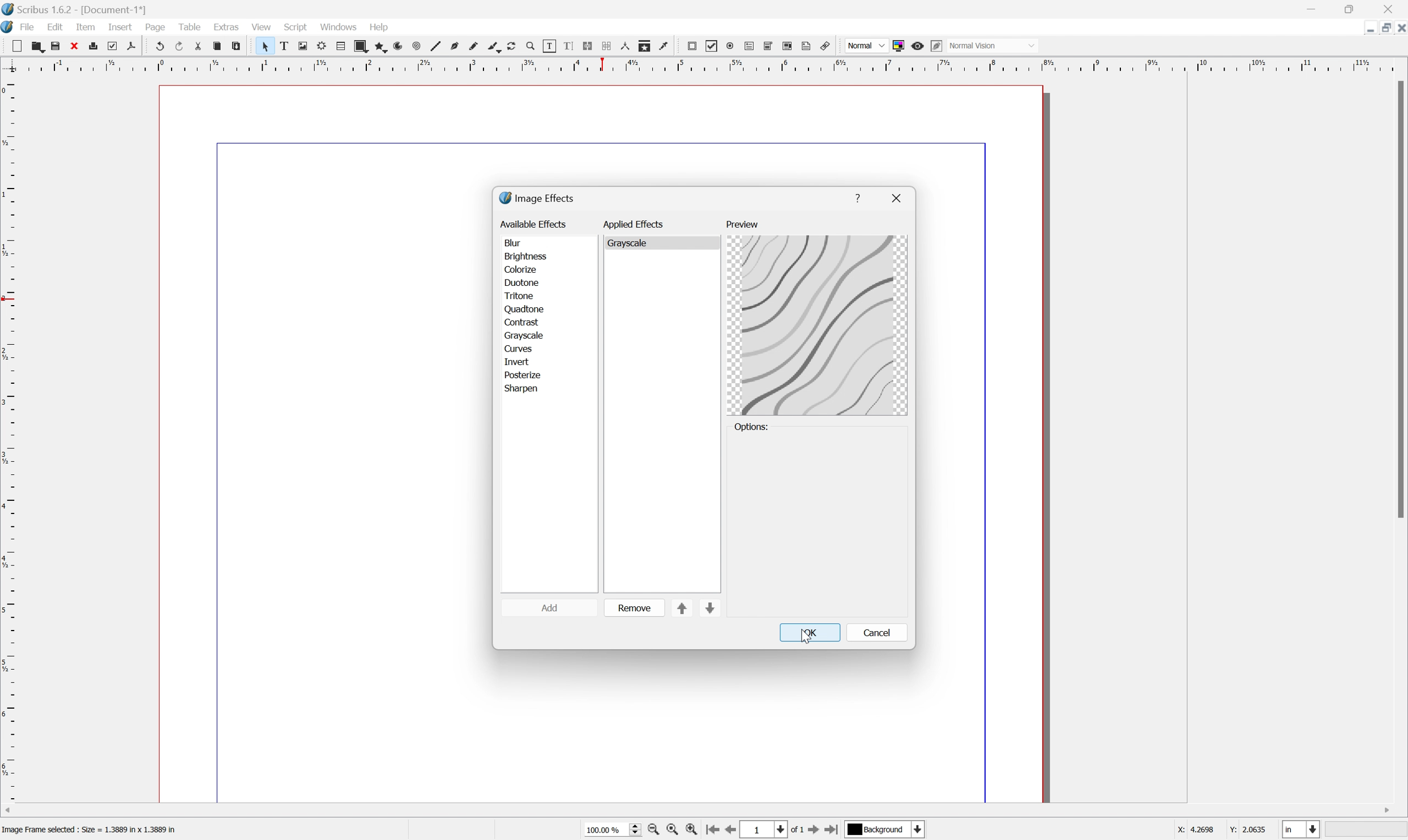 The image size is (1408, 840). I want to click on Select the current player, so click(883, 831).